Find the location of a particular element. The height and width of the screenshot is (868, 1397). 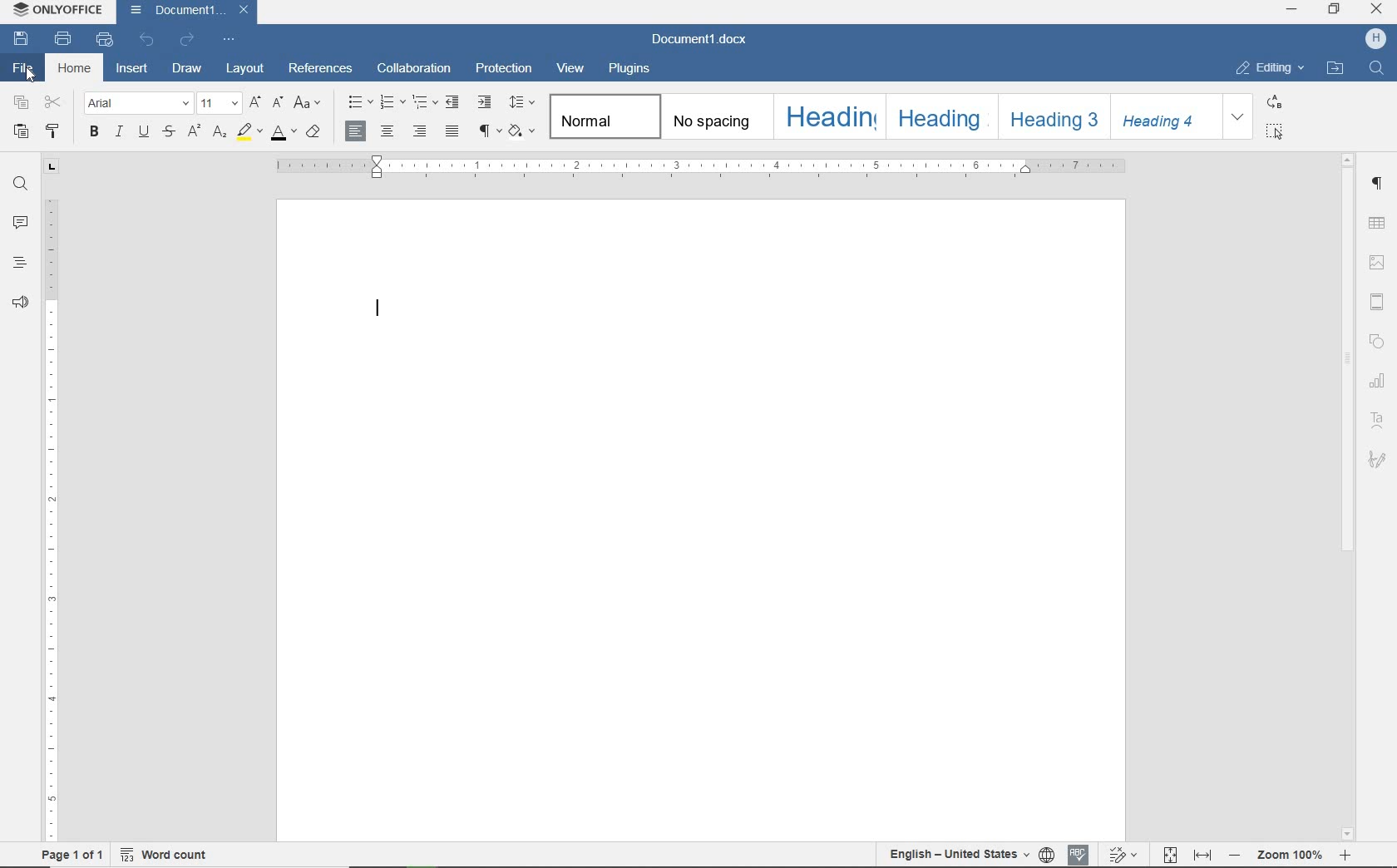

signature is located at coordinates (1378, 460).